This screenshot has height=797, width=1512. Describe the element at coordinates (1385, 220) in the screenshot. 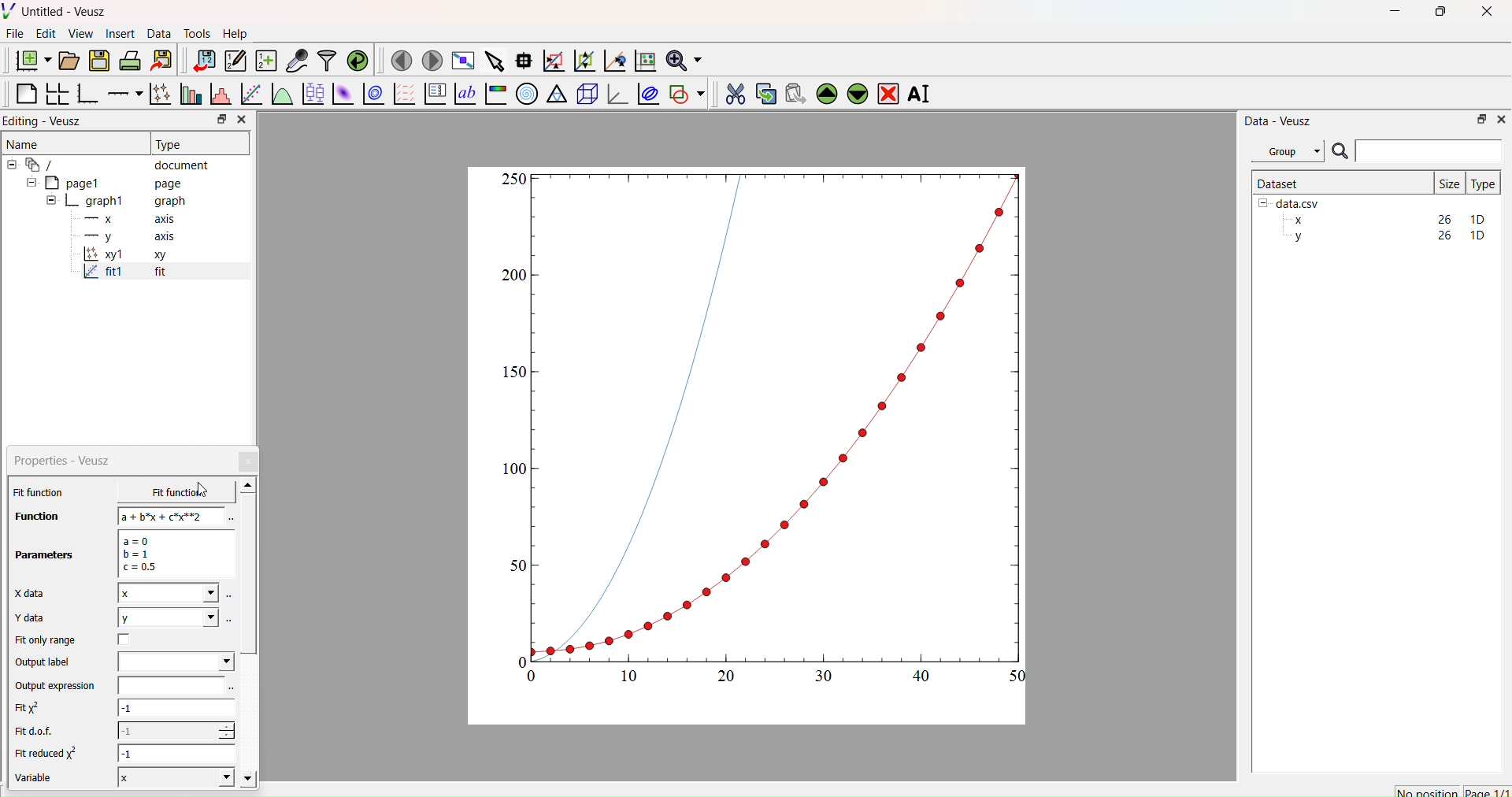

I see `x 26 1D` at that location.